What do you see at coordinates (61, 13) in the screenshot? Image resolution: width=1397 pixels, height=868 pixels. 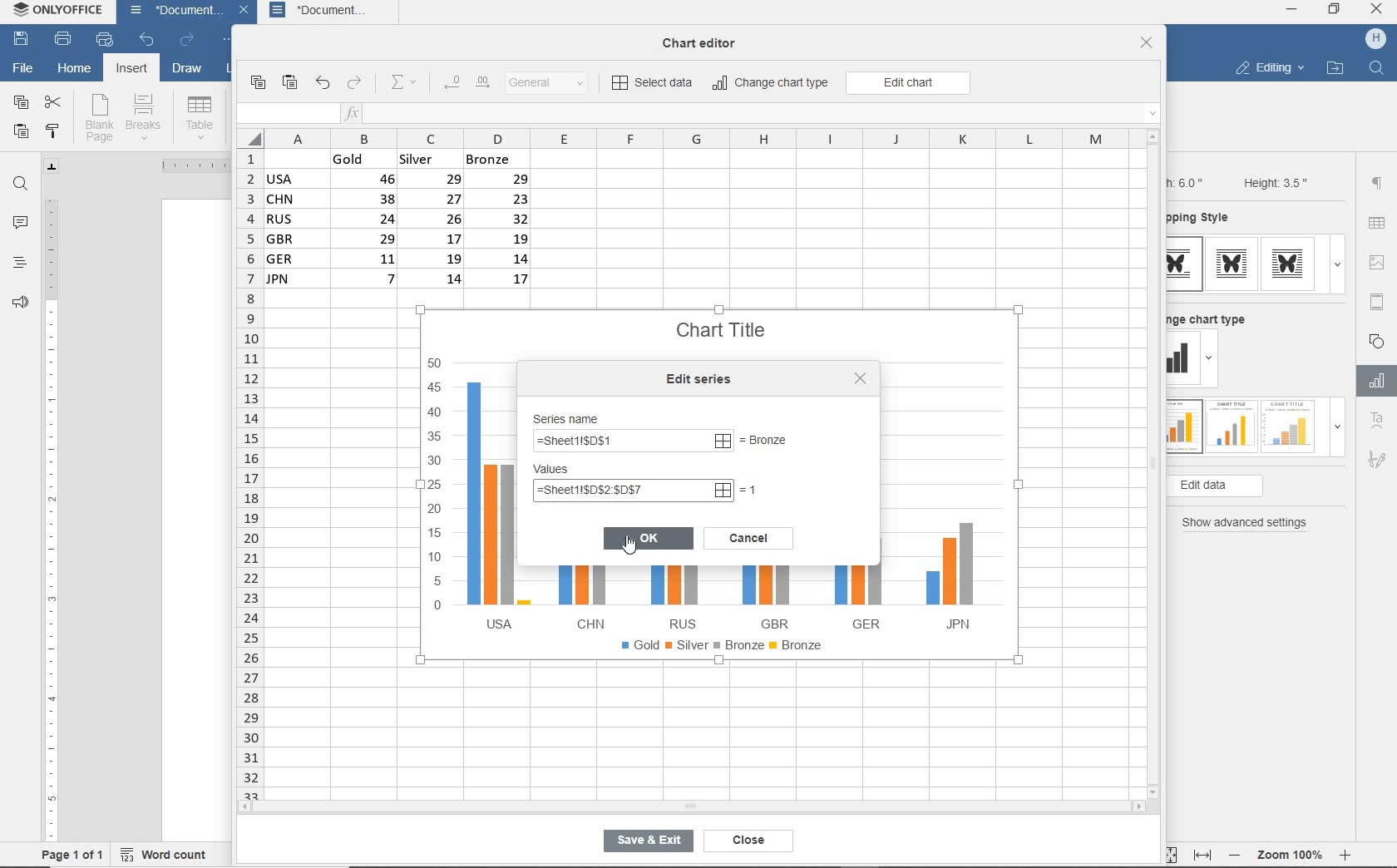 I see `system name` at bounding box center [61, 13].